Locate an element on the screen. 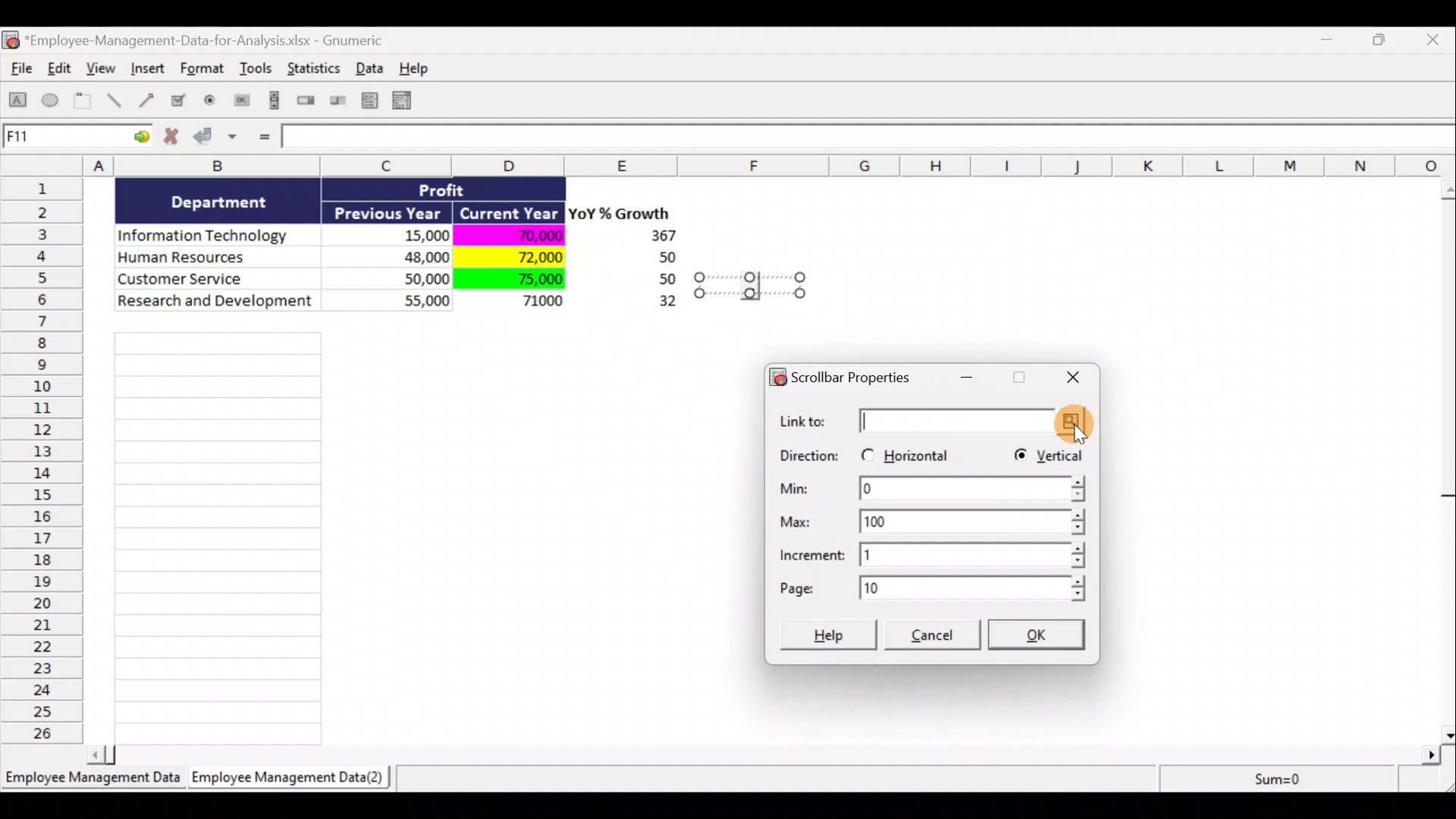 The image size is (1456, 819). resize handle is located at coordinates (750, 284).